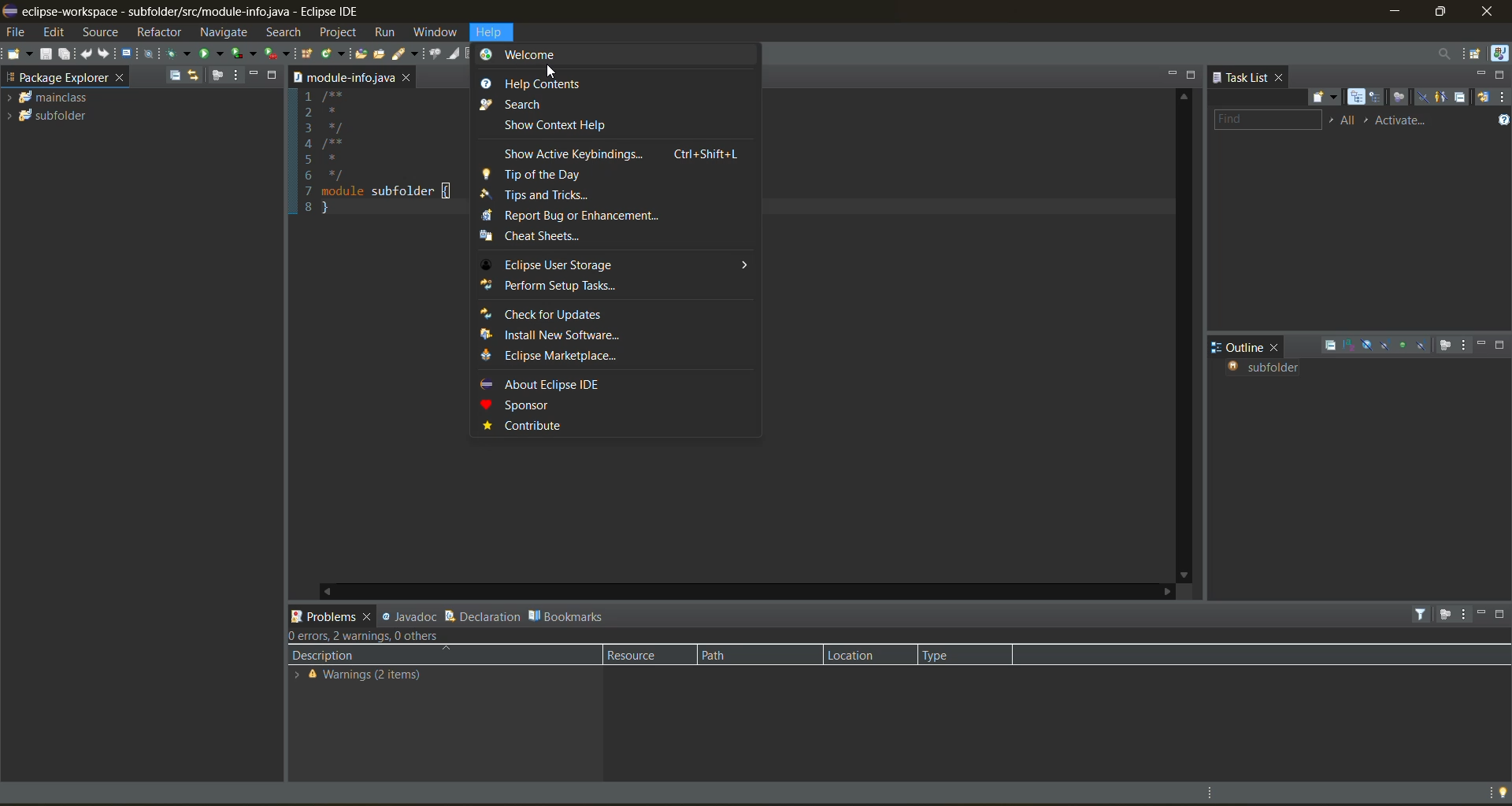 This screenshot has width=1512, height=806. Describe the element at coordinates (66, 54) in the screenshot. I see `save all` at that location.